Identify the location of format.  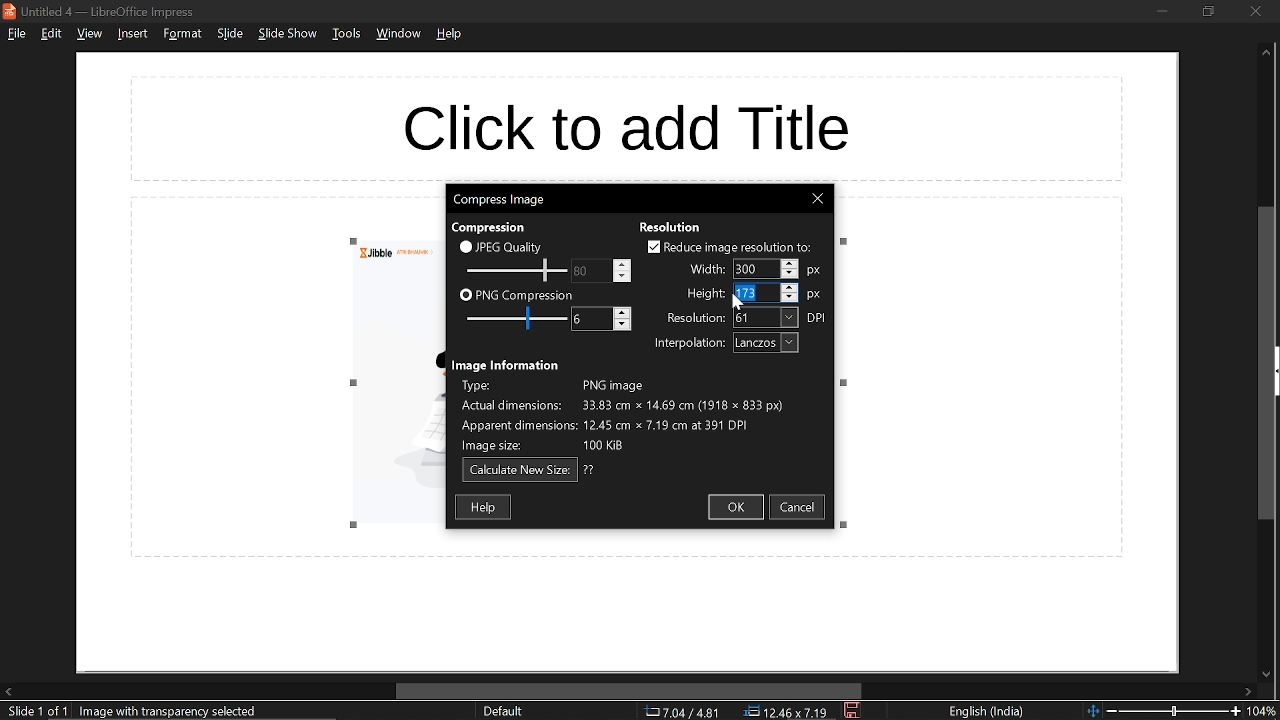
(182, 34).